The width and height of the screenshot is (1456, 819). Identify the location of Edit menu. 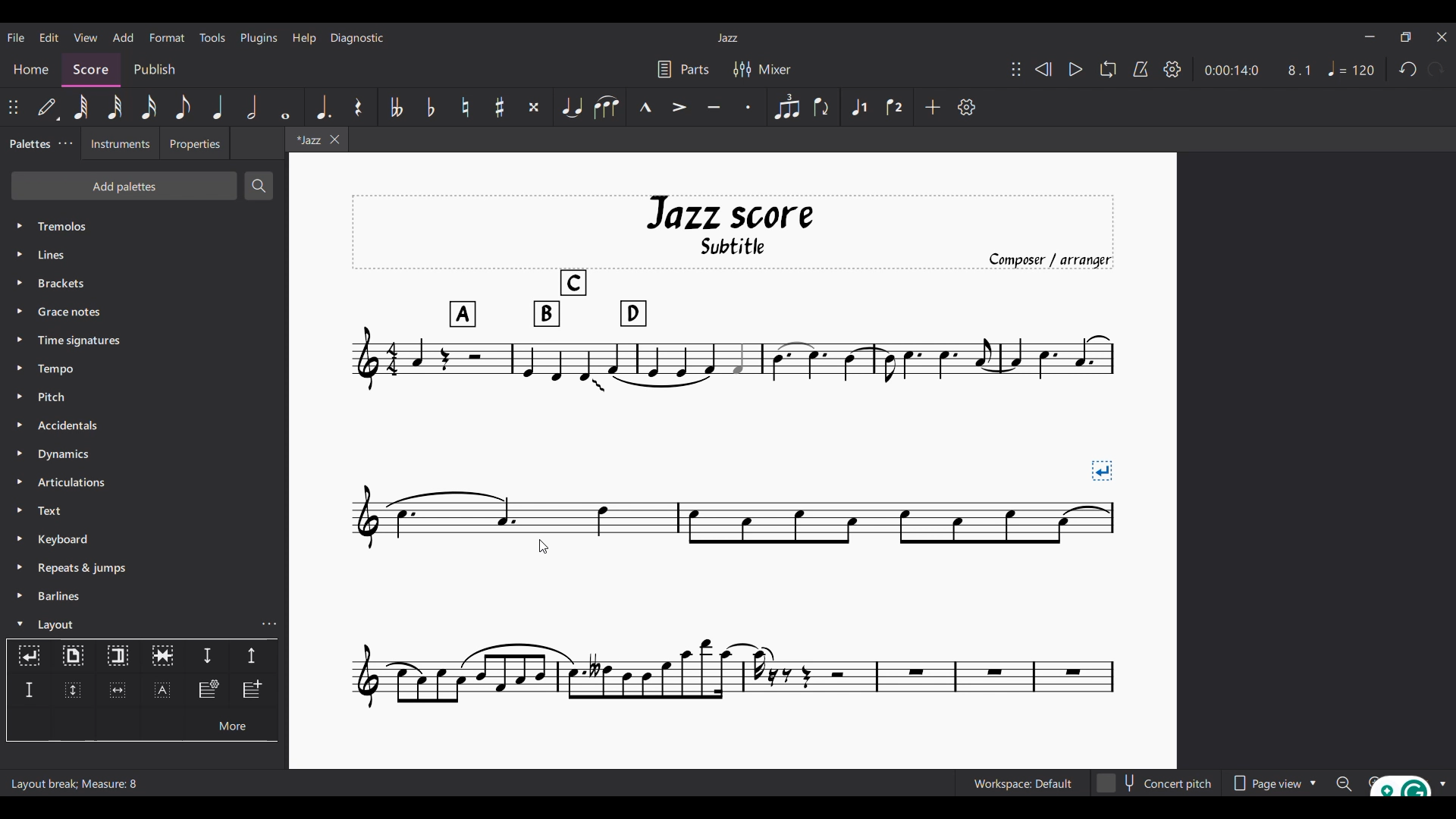
(49, 38).